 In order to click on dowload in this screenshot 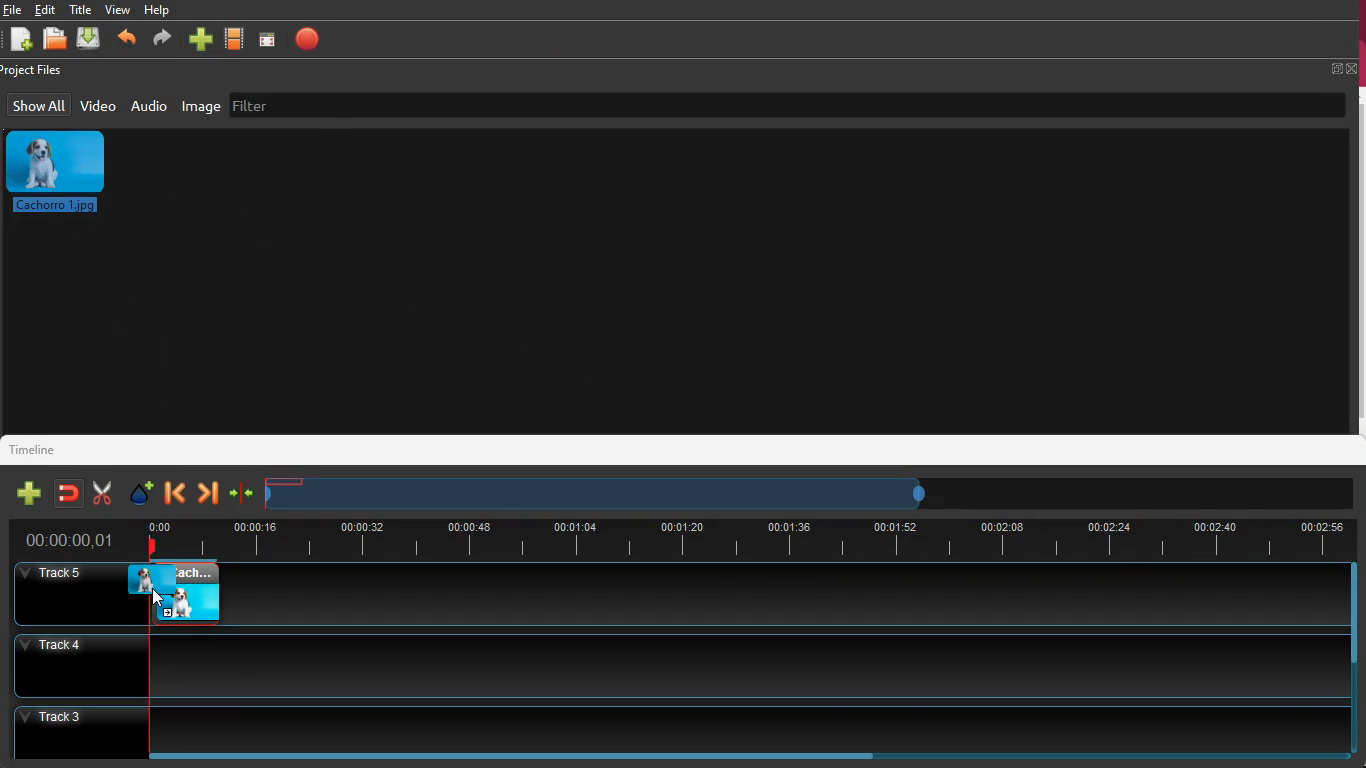, I will do `click(92, 40)`.